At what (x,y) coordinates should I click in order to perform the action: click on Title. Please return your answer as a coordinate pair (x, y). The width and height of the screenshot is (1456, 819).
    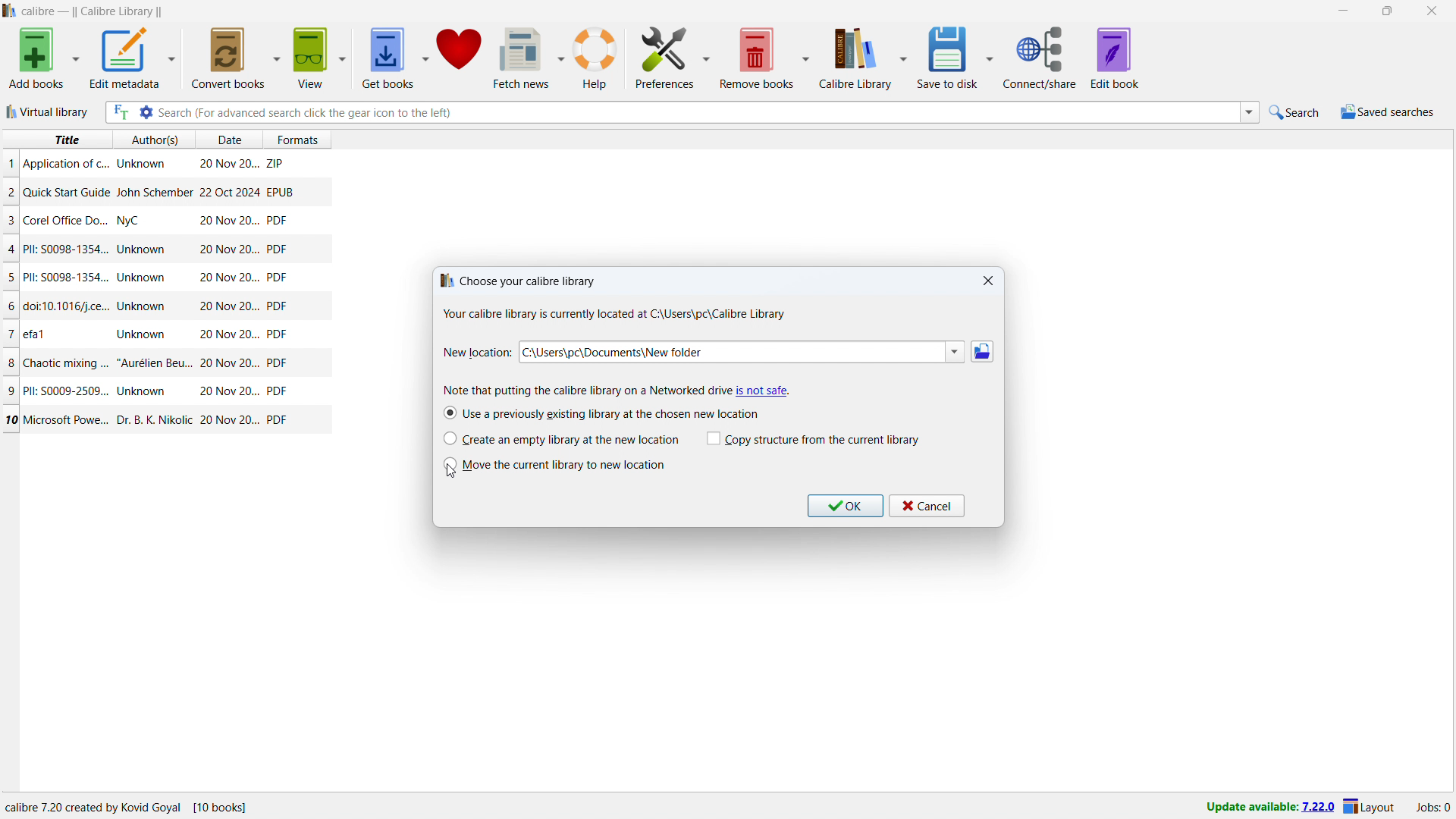
    Looking at the image, I should click on (65, 164).